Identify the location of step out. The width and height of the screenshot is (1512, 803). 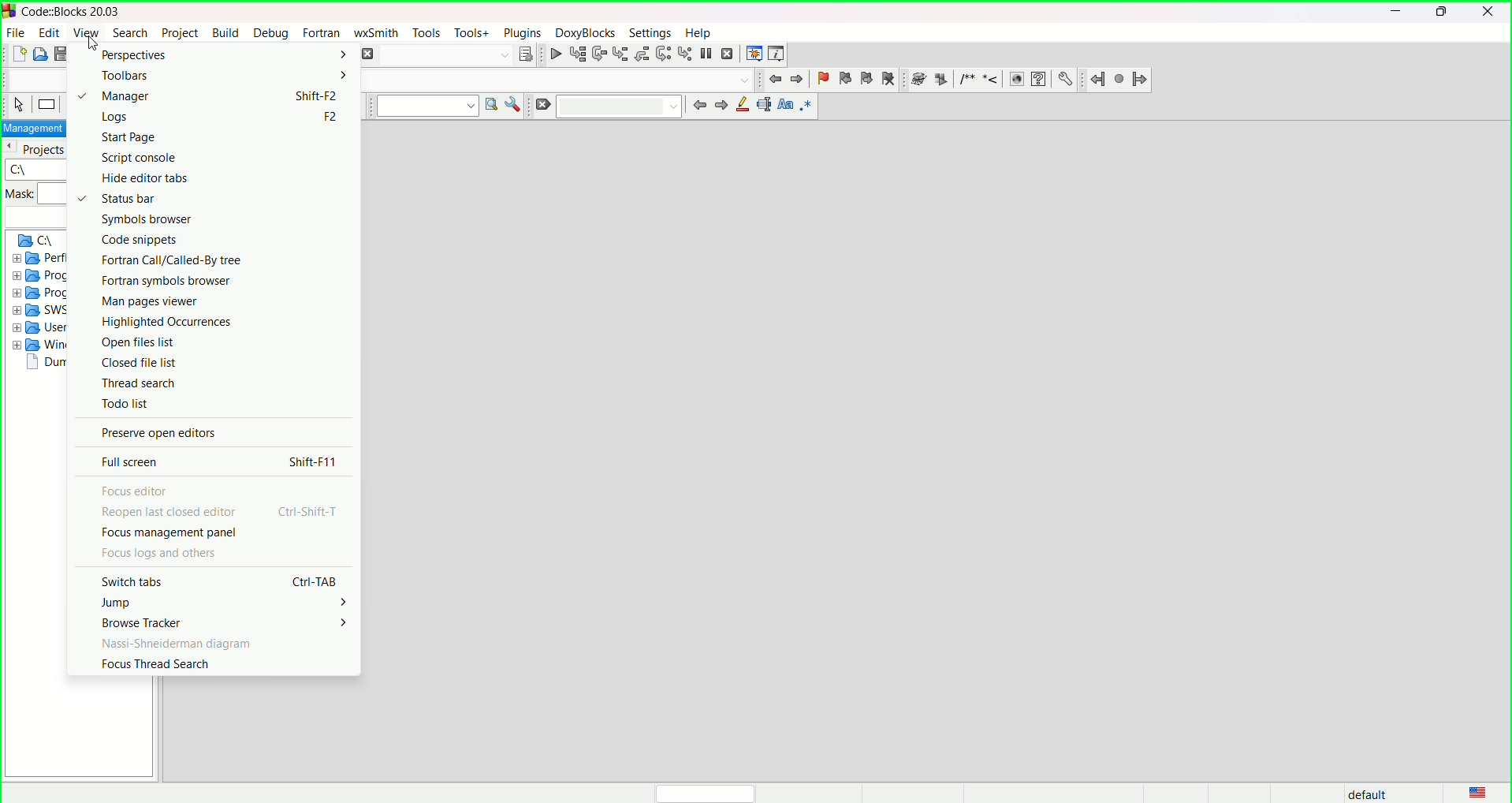
(641, 54).